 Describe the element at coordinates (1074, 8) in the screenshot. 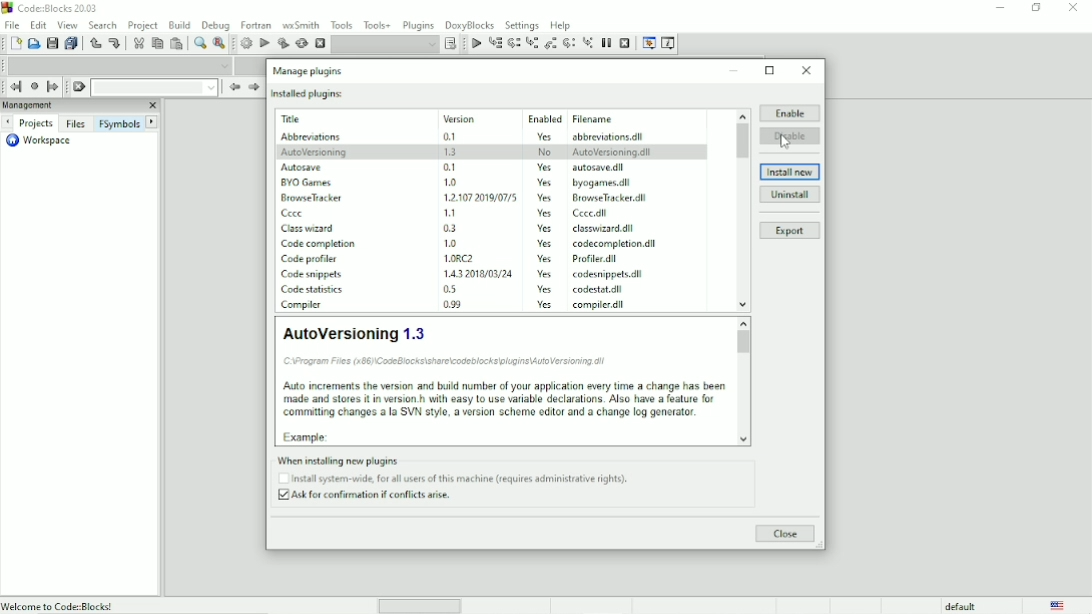

I see `Close` at that location.